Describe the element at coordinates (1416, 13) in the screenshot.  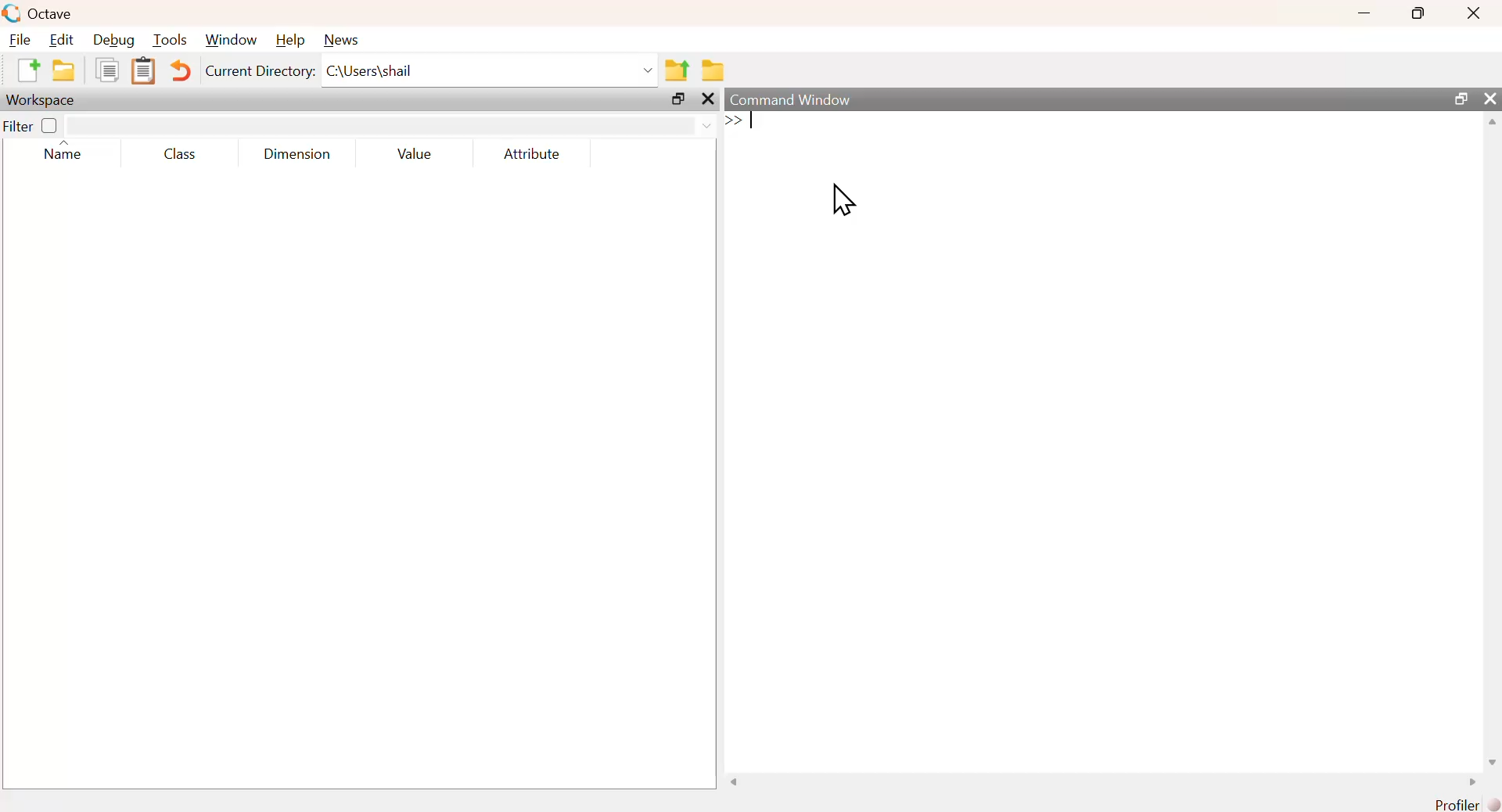
I see `maximize` at that location.